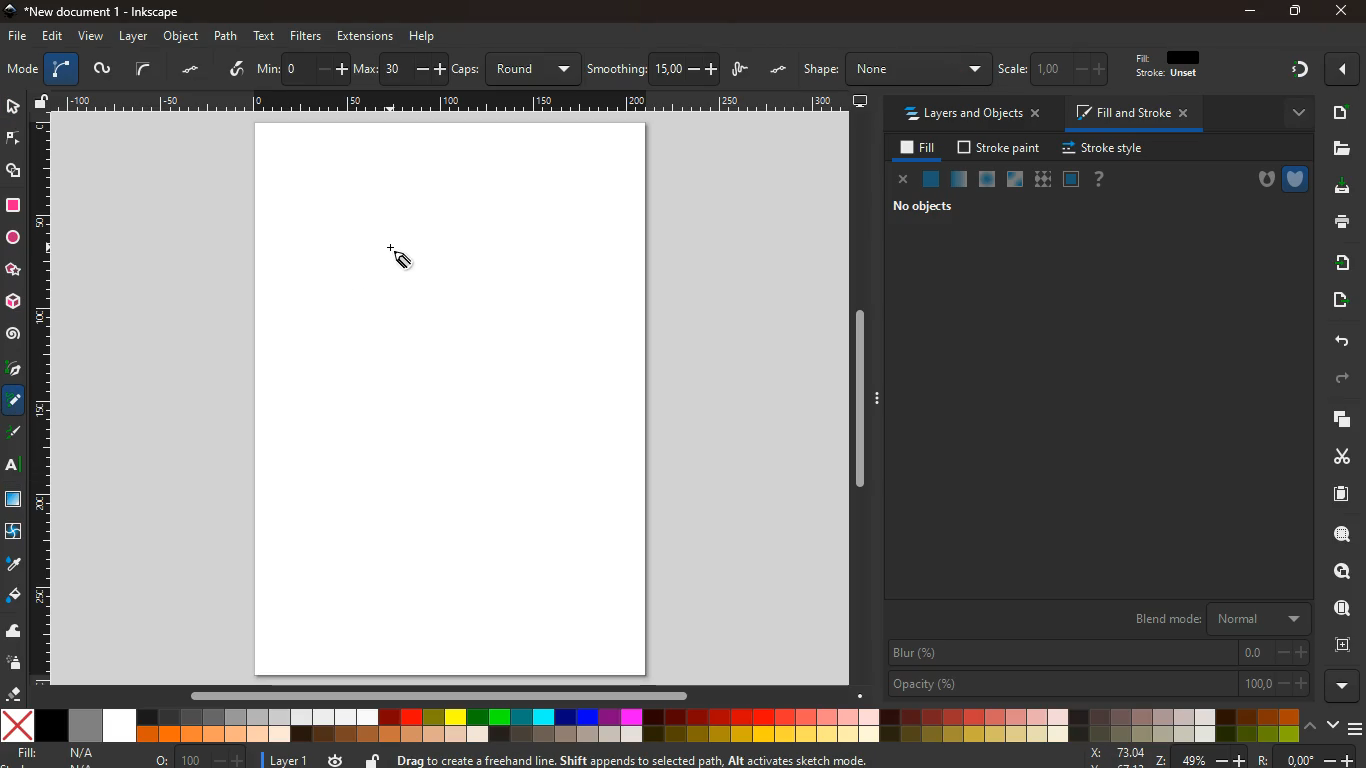 Image resolution: width=1366 pixels, height=768 pixels. Describe the element at coordinates (517, 69) in the screenshot. I see `caps` at that location.